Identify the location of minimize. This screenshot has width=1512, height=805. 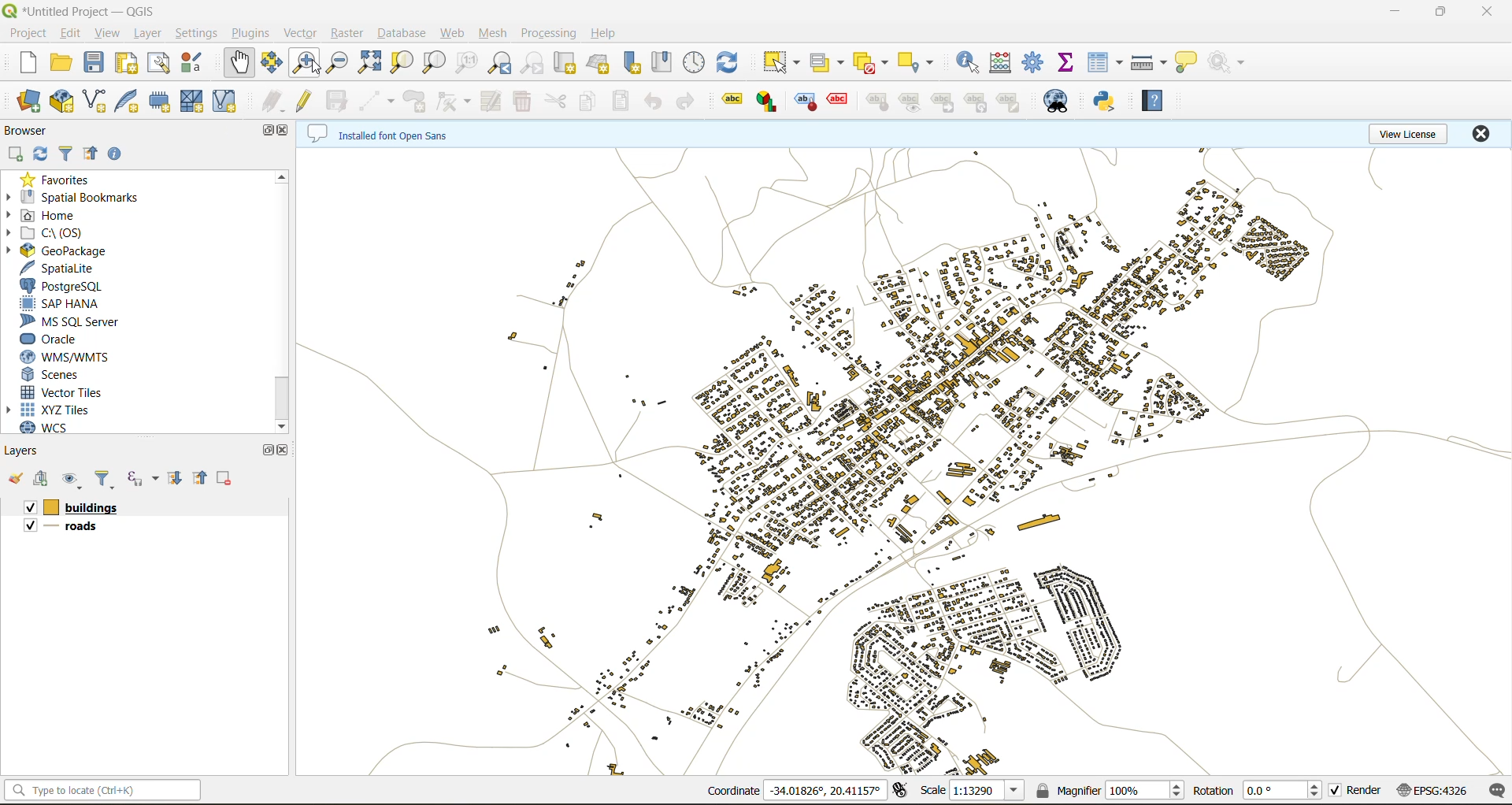
(1394, 16).